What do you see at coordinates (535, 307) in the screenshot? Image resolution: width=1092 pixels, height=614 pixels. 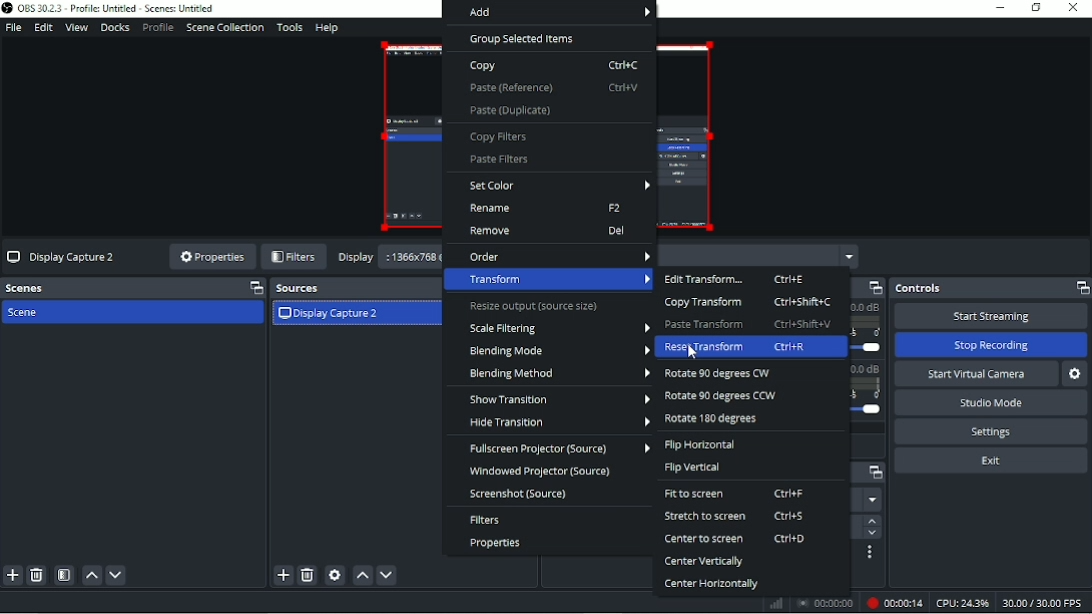 I see `Resize output` at bounding box center [535, 307].